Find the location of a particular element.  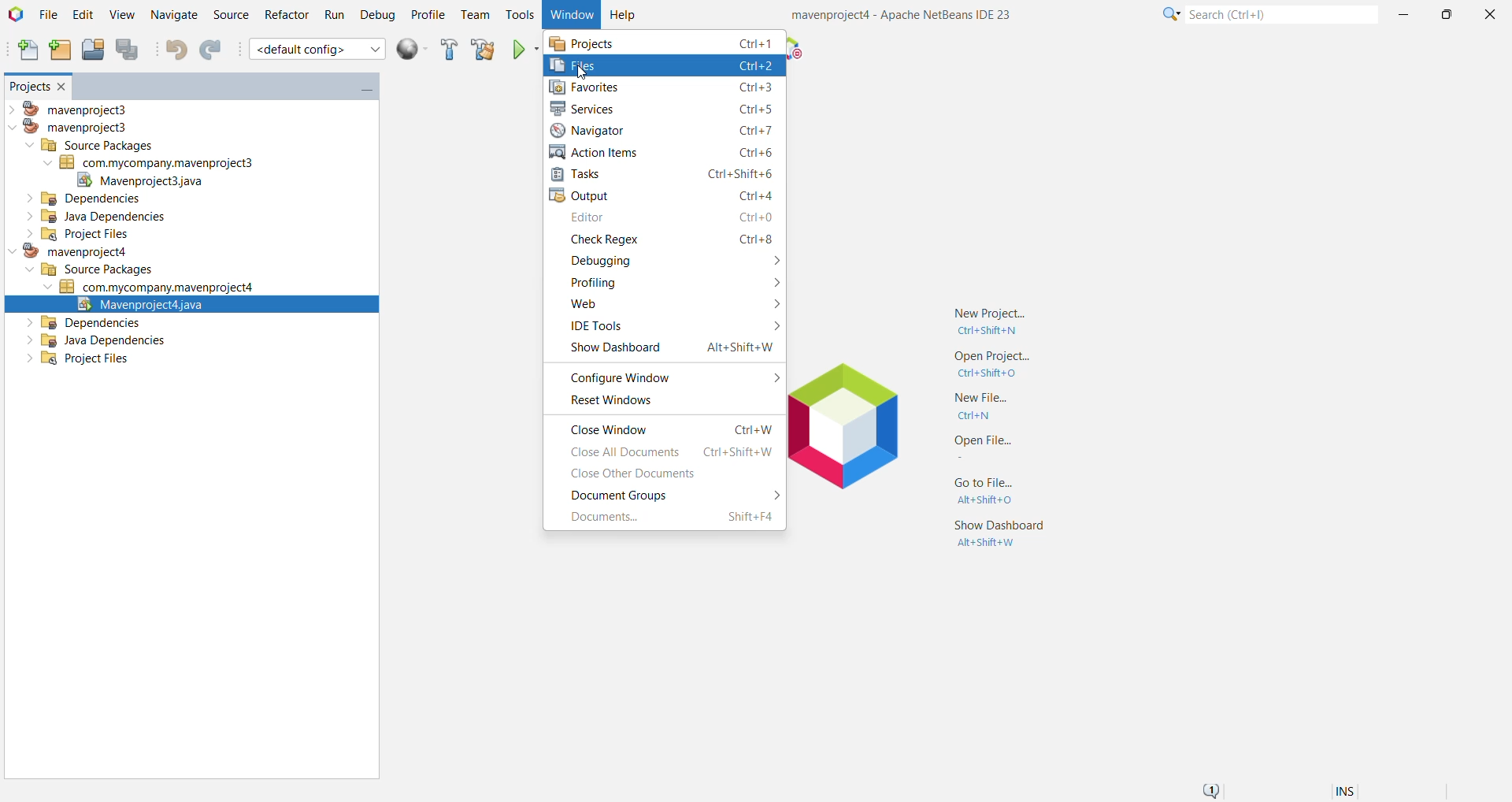

Minimize is located at coordinates (1405, 16).